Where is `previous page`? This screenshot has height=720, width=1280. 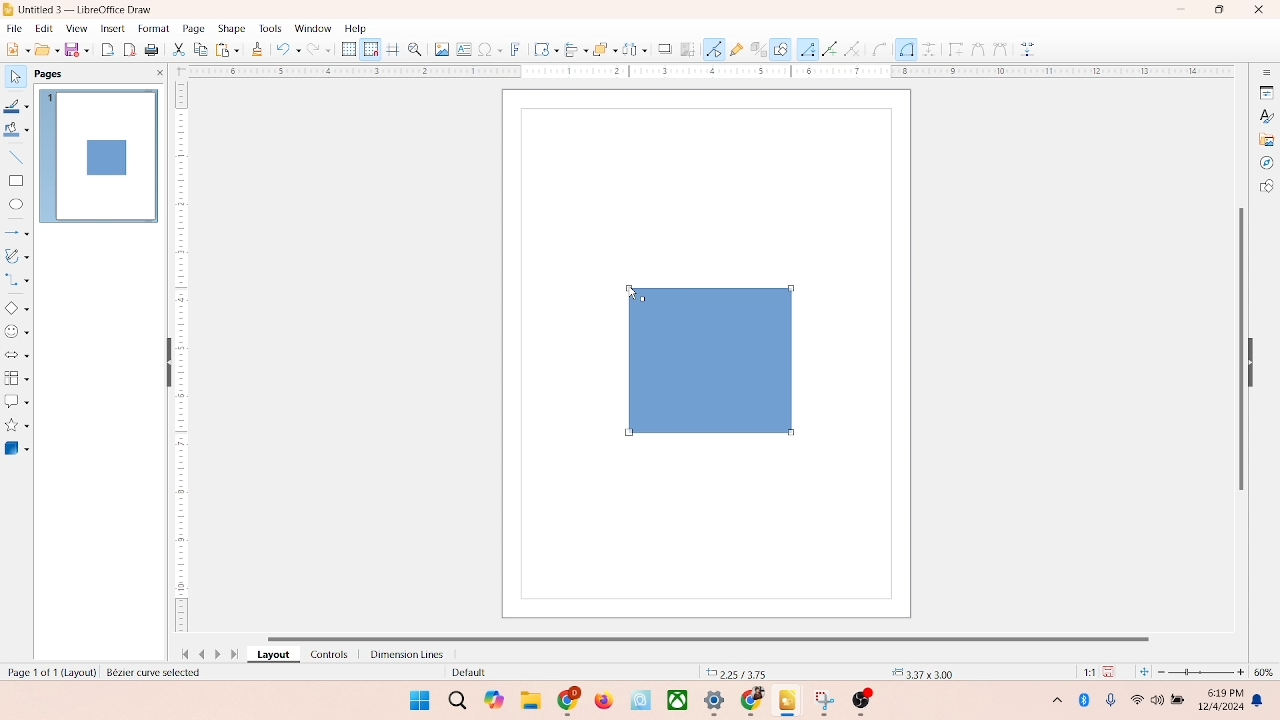 previous page is located at coordinates (202, 654).